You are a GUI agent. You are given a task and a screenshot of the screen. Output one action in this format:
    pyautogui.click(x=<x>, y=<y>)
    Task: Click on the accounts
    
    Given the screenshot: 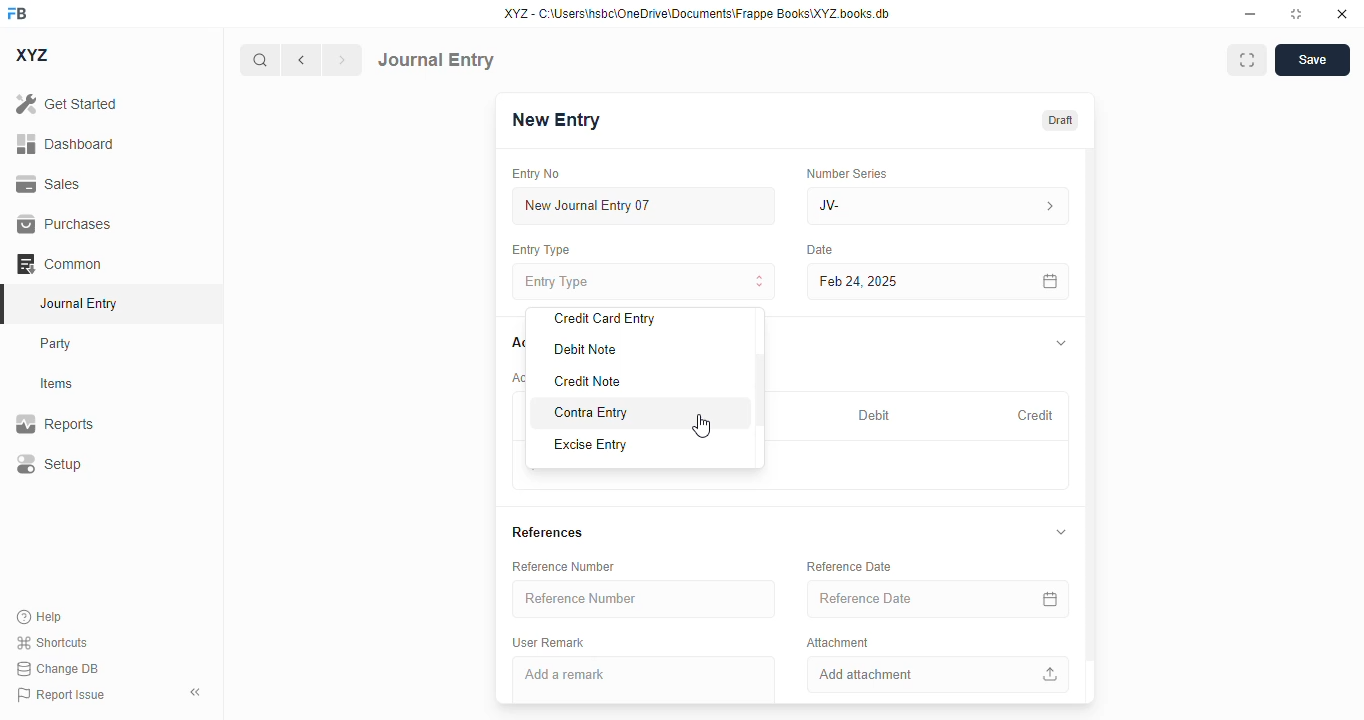 What is the action you would take?
    pyautogui.click(x=516, y=344)
    